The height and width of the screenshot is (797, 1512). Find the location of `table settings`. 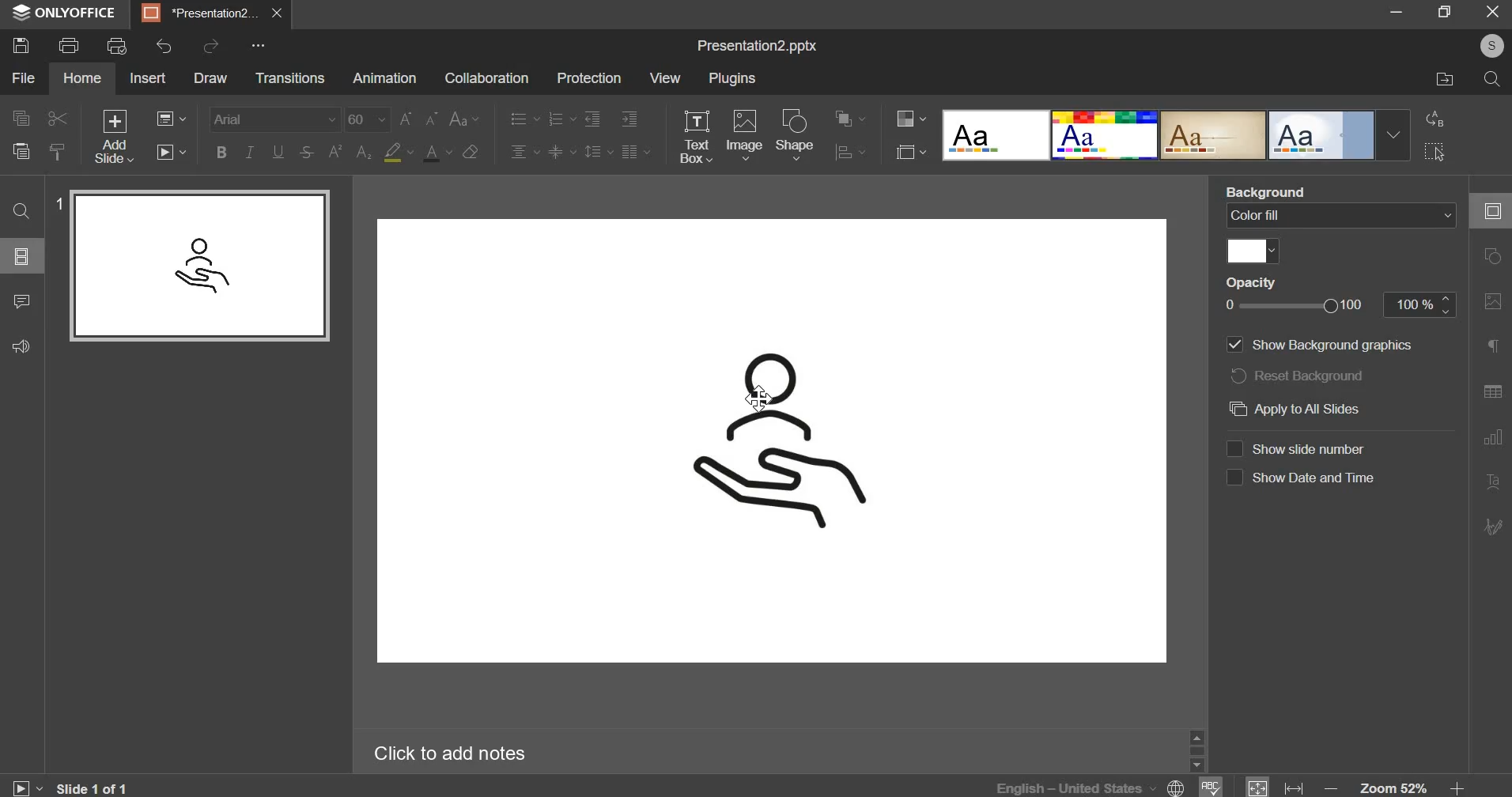

table settings is located at coordinates (1492, 392).